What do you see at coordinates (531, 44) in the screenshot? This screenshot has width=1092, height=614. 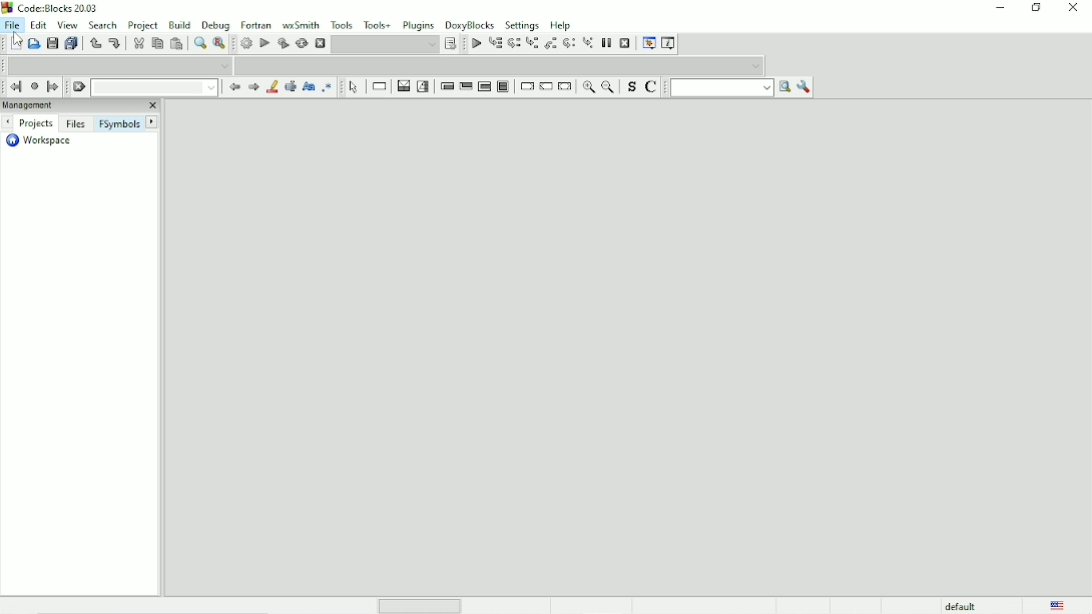 I see `Step into` at bounding box center [531, 44].